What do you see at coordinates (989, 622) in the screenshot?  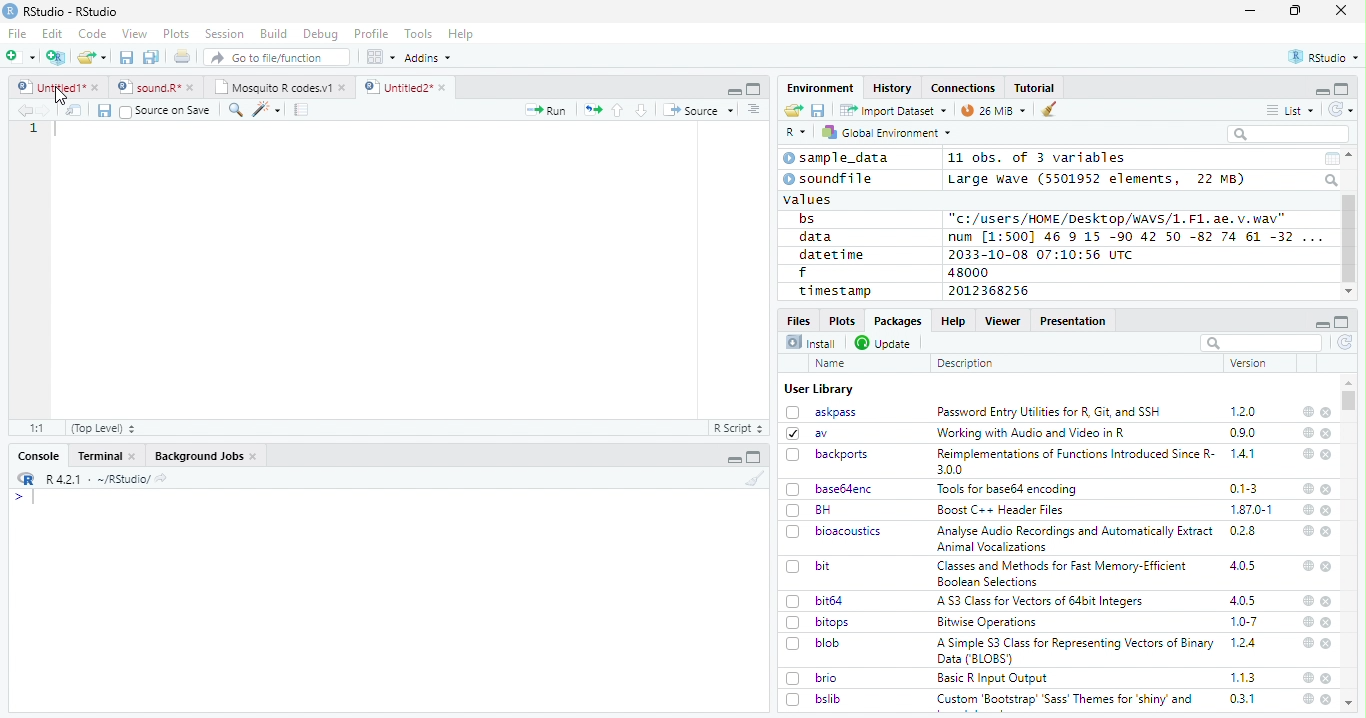 I see `Bitwise Operations` at bounding box center [989, 622].